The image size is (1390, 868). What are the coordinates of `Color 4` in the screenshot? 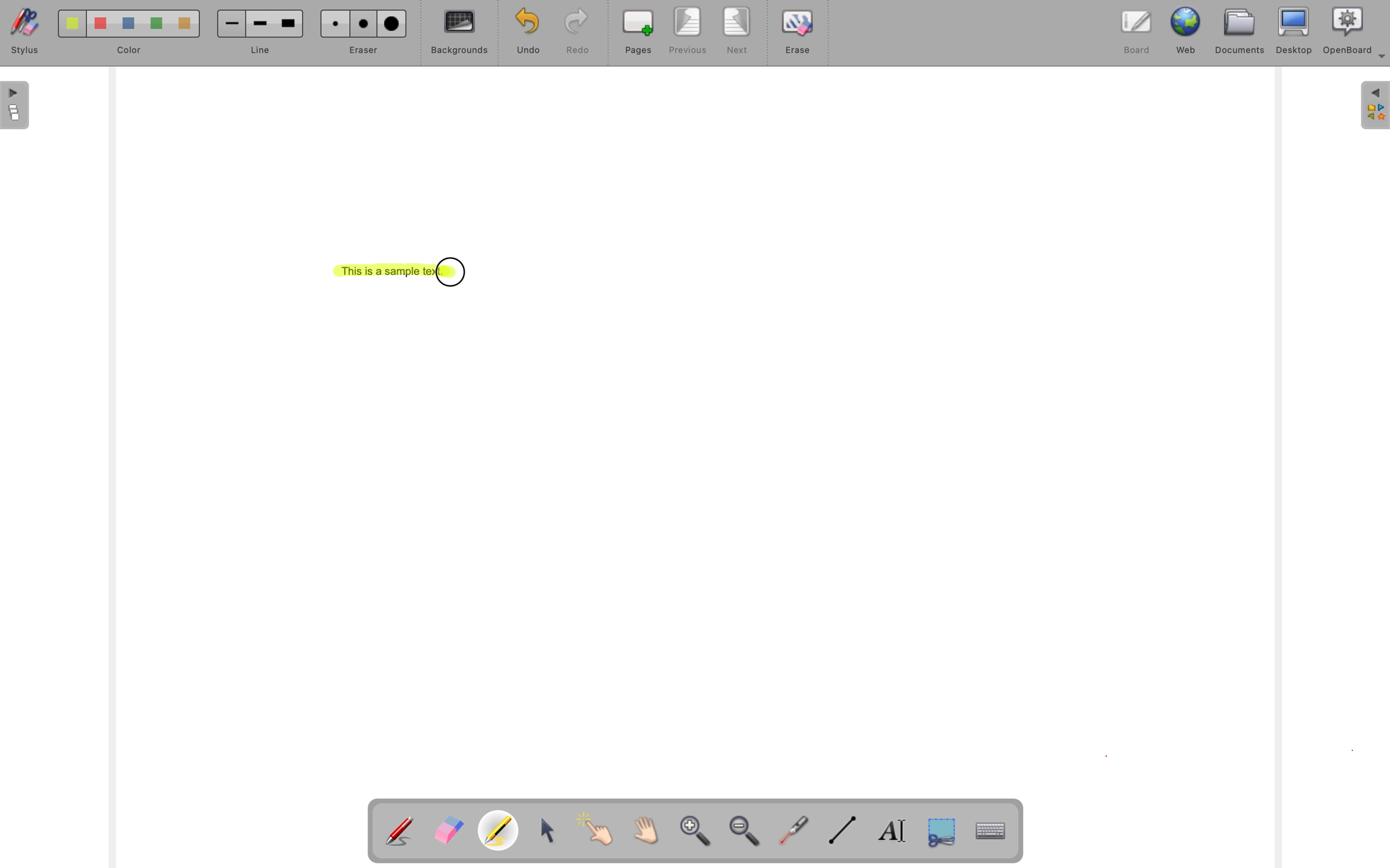 It's located at (157, 24).